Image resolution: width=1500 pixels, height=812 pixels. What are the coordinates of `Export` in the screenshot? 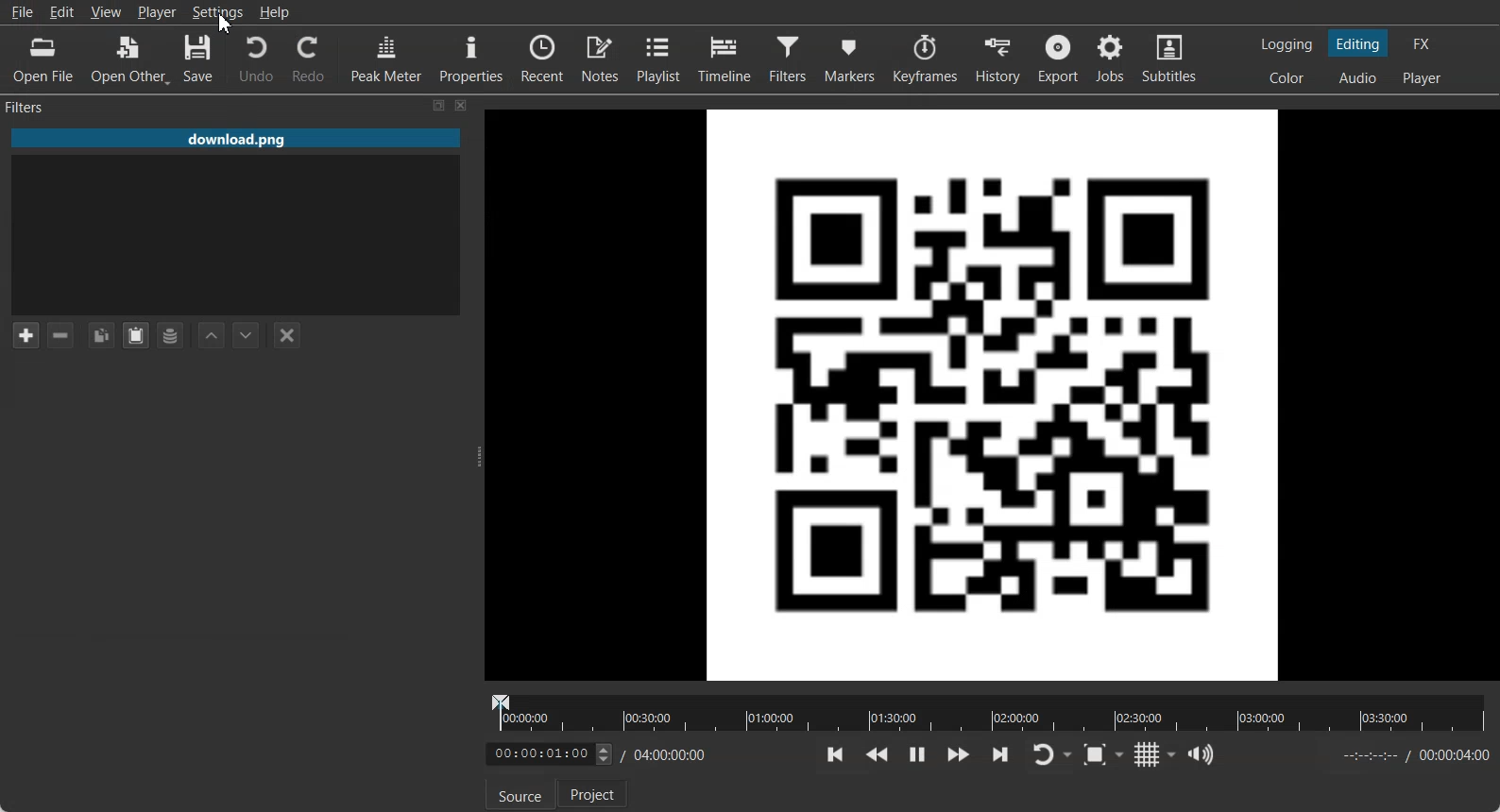 It's located at (1058, 59).